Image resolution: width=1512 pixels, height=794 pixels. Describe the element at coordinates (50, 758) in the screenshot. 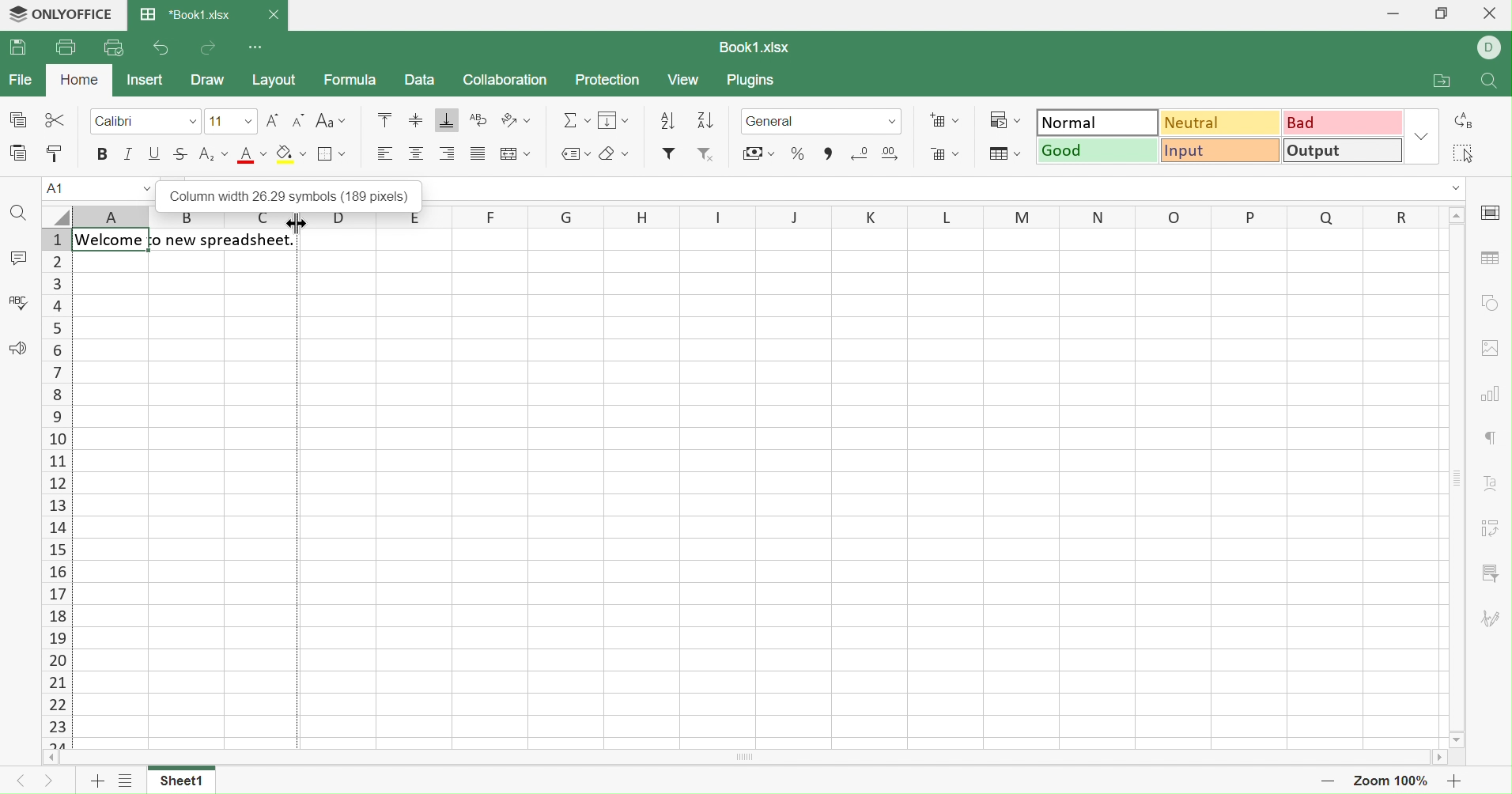

I see `Scroll Left` at that location.